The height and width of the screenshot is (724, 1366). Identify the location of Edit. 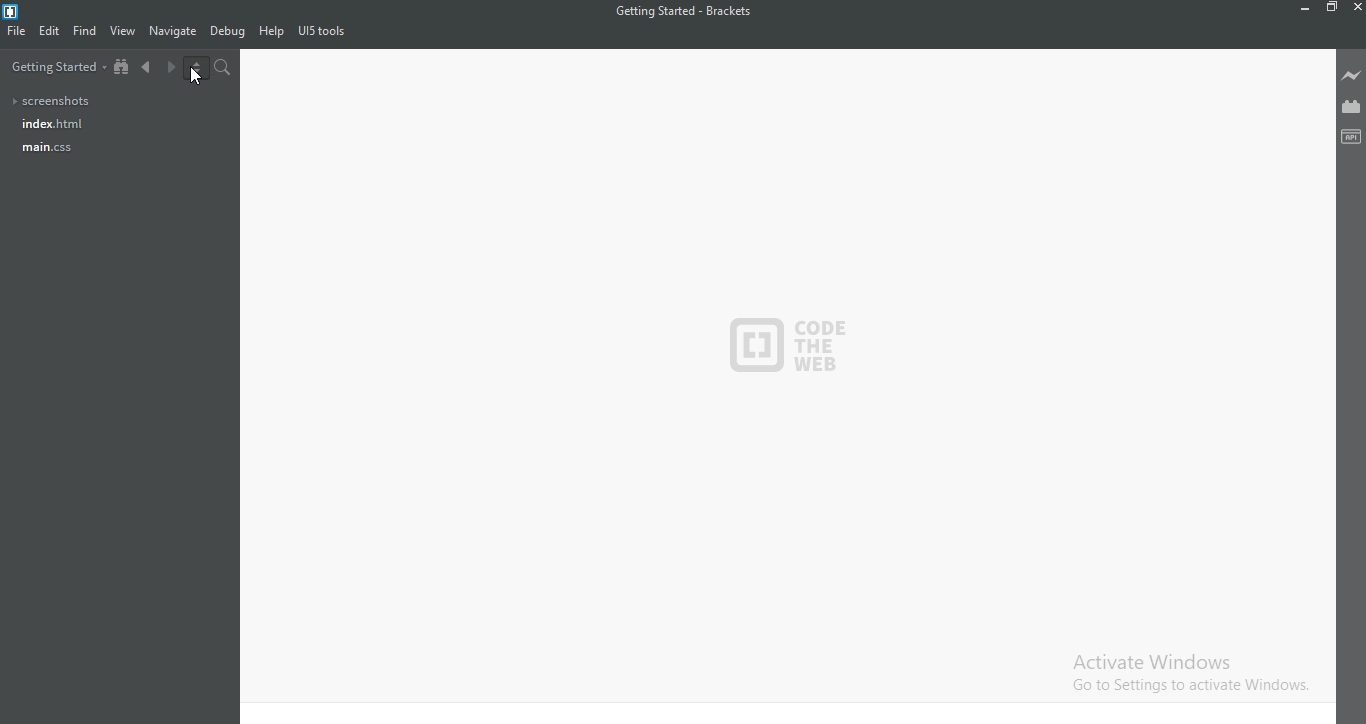
(50, 33).